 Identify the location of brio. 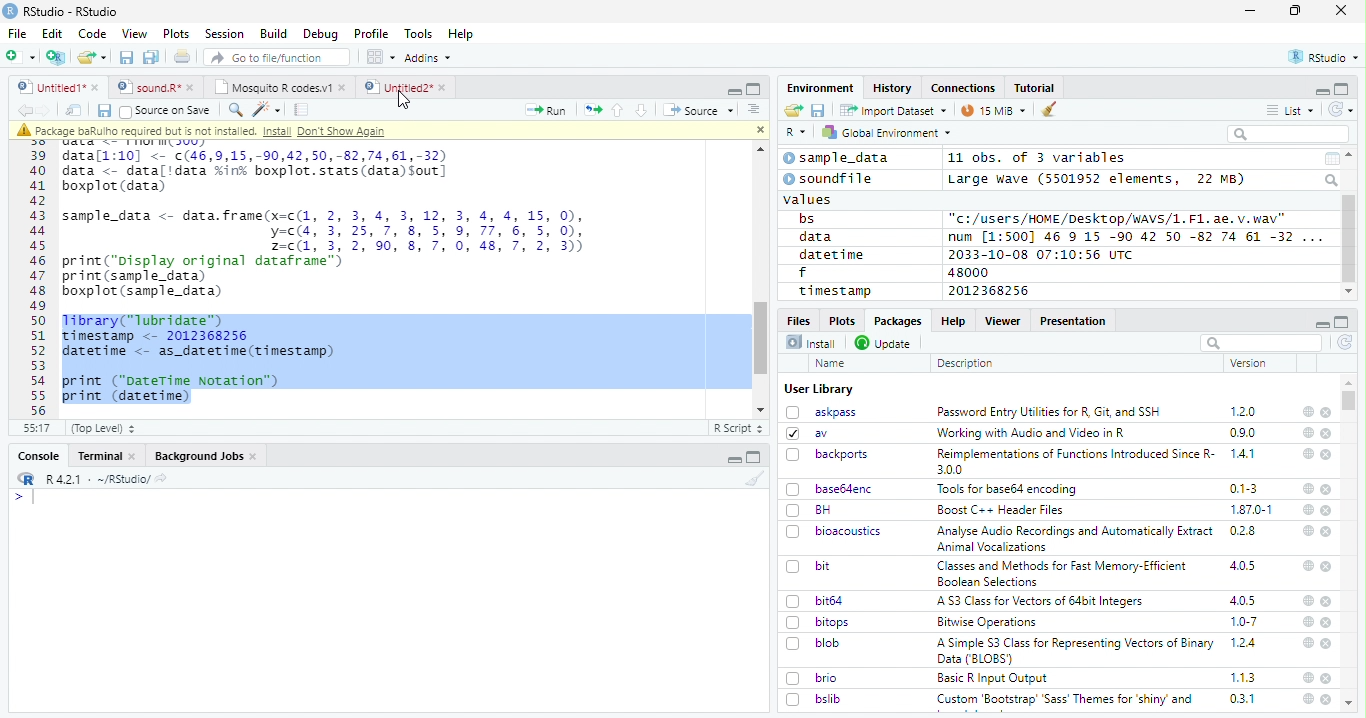
(812, 678).